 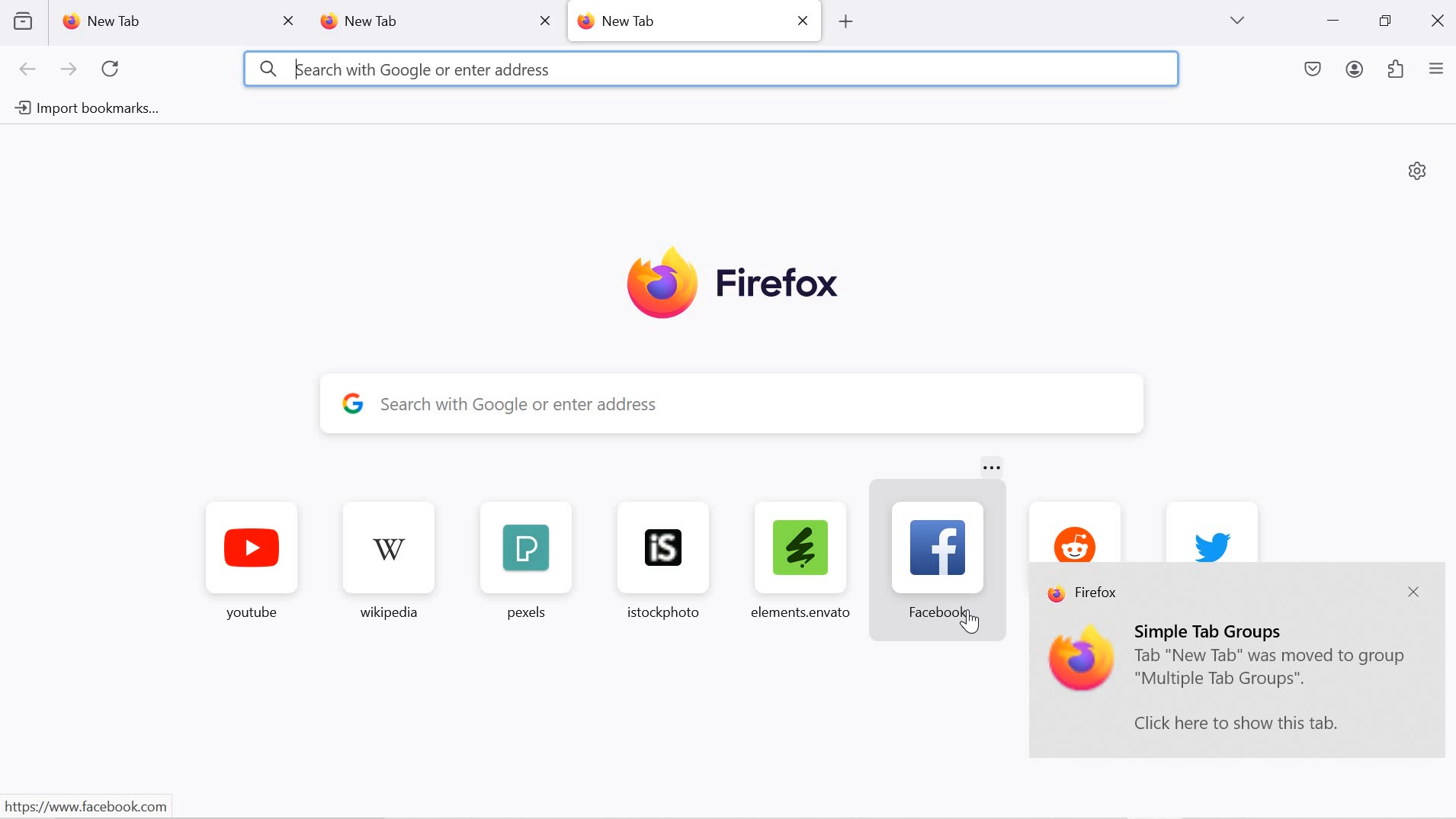 I want to click on close, so click(x=544, y=20).